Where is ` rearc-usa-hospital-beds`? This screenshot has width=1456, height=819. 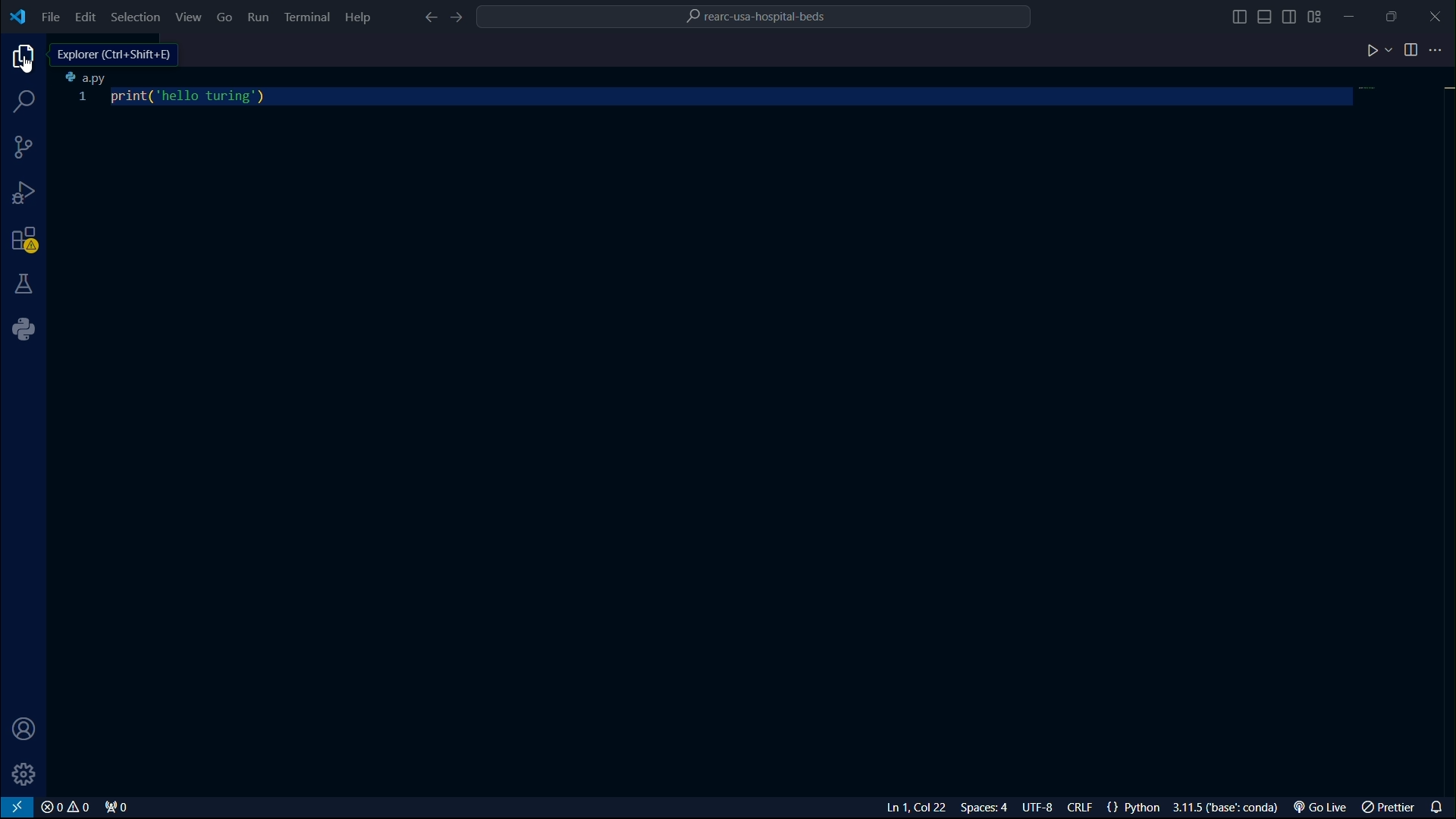  rearc-usa-hospital-beds is located at coordinates (764, 15).